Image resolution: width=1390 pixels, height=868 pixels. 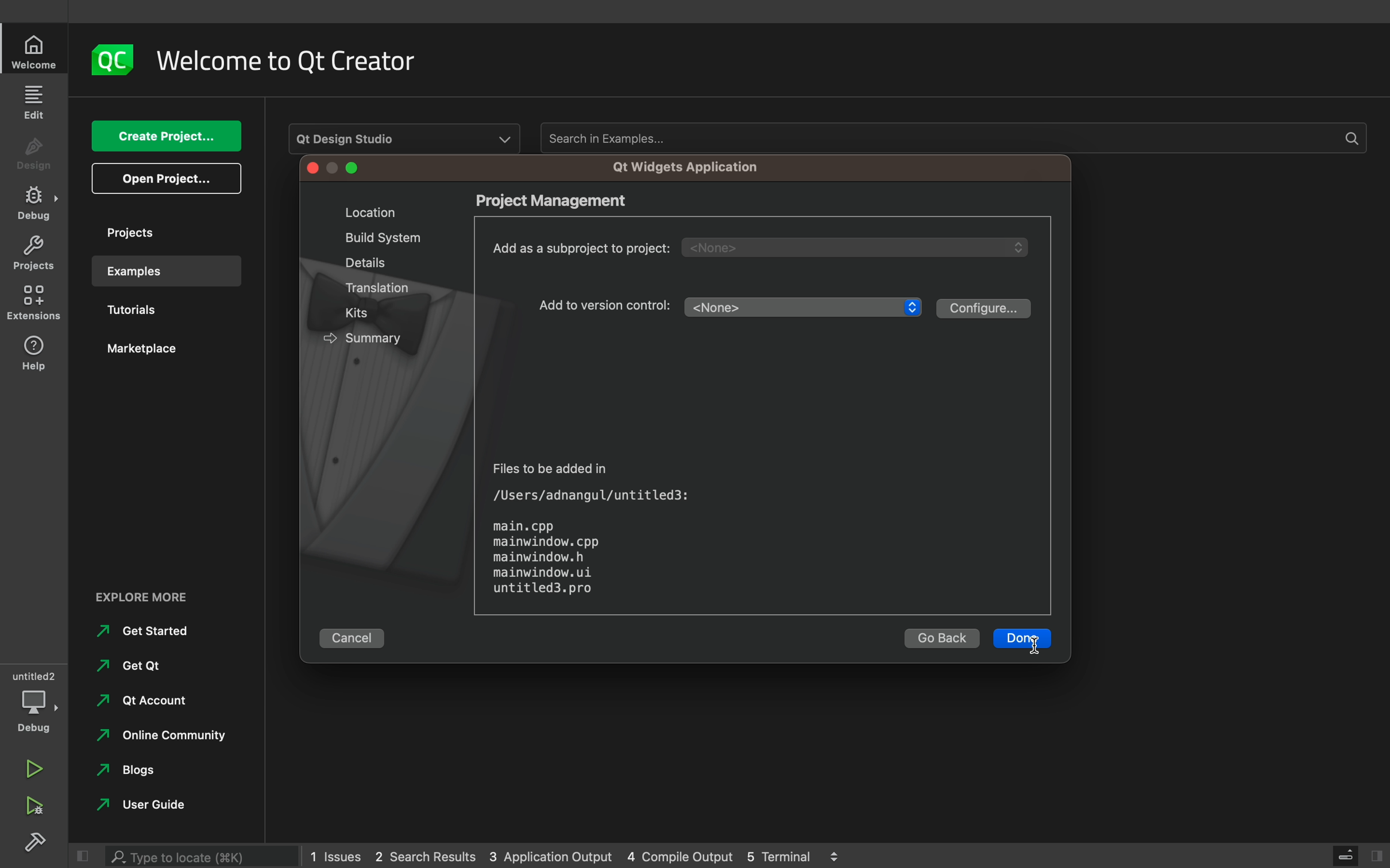 What do you see at coordinates (379, 289) in the screenshot?
I see `` at bounding box center [379, 289].